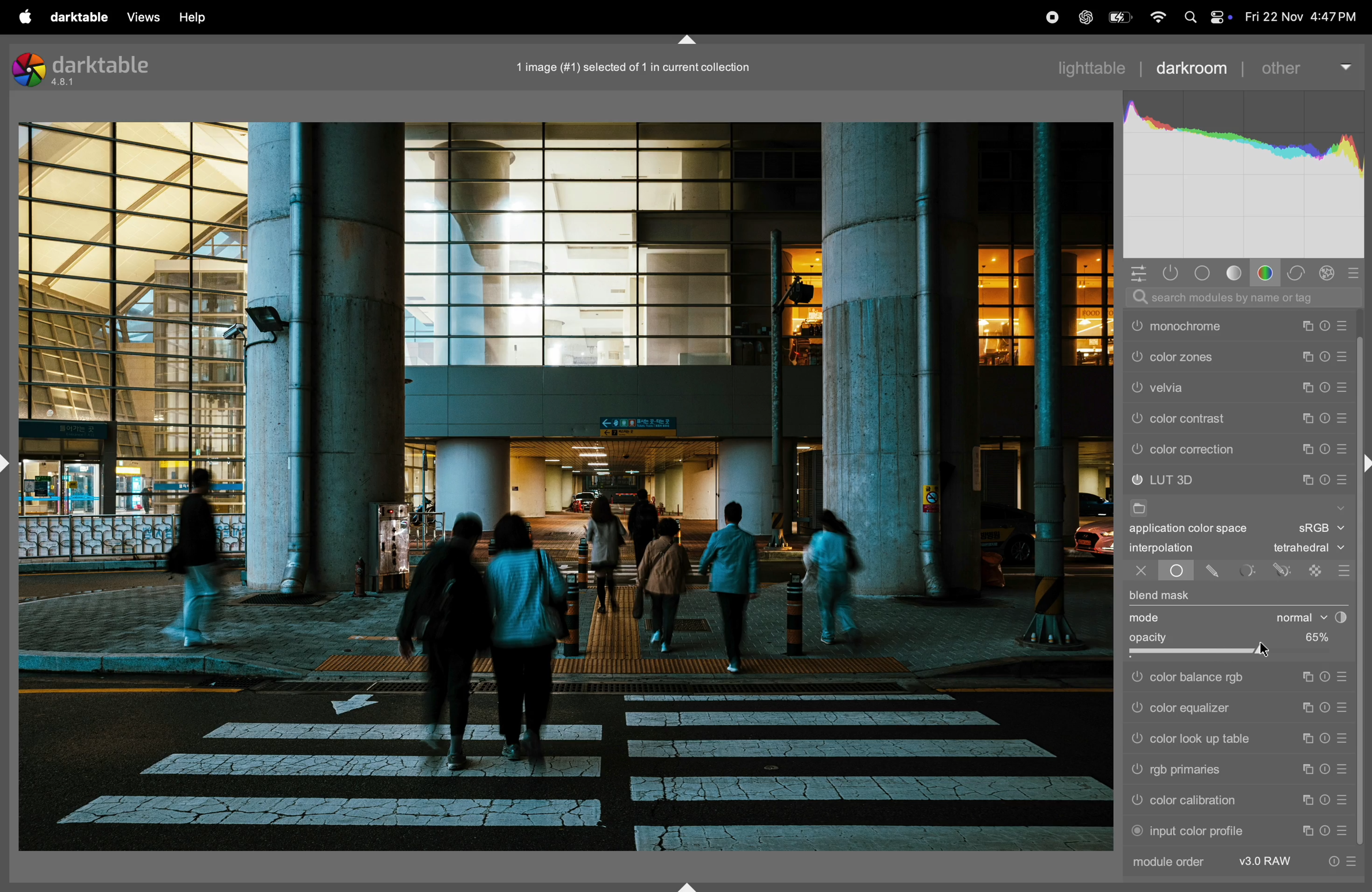  I want to click on apple menu, so click(25, 16).